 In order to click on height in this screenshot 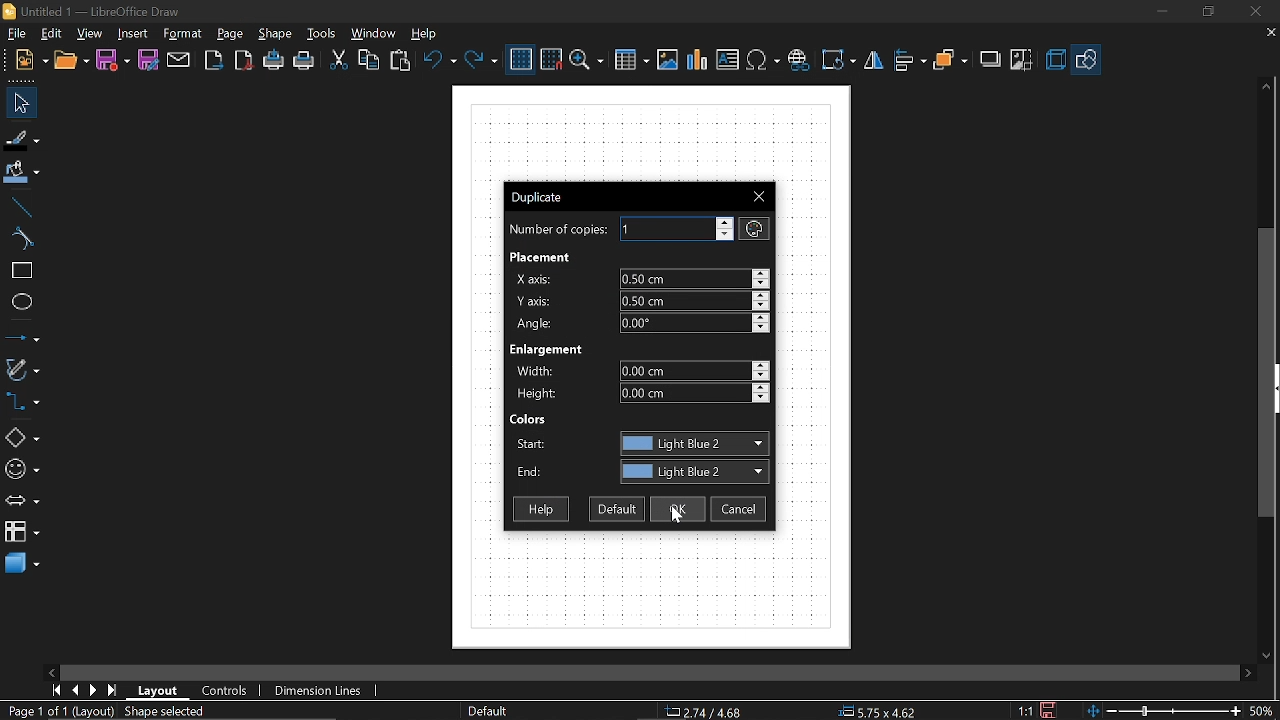, I will do `click(695, 394)`.